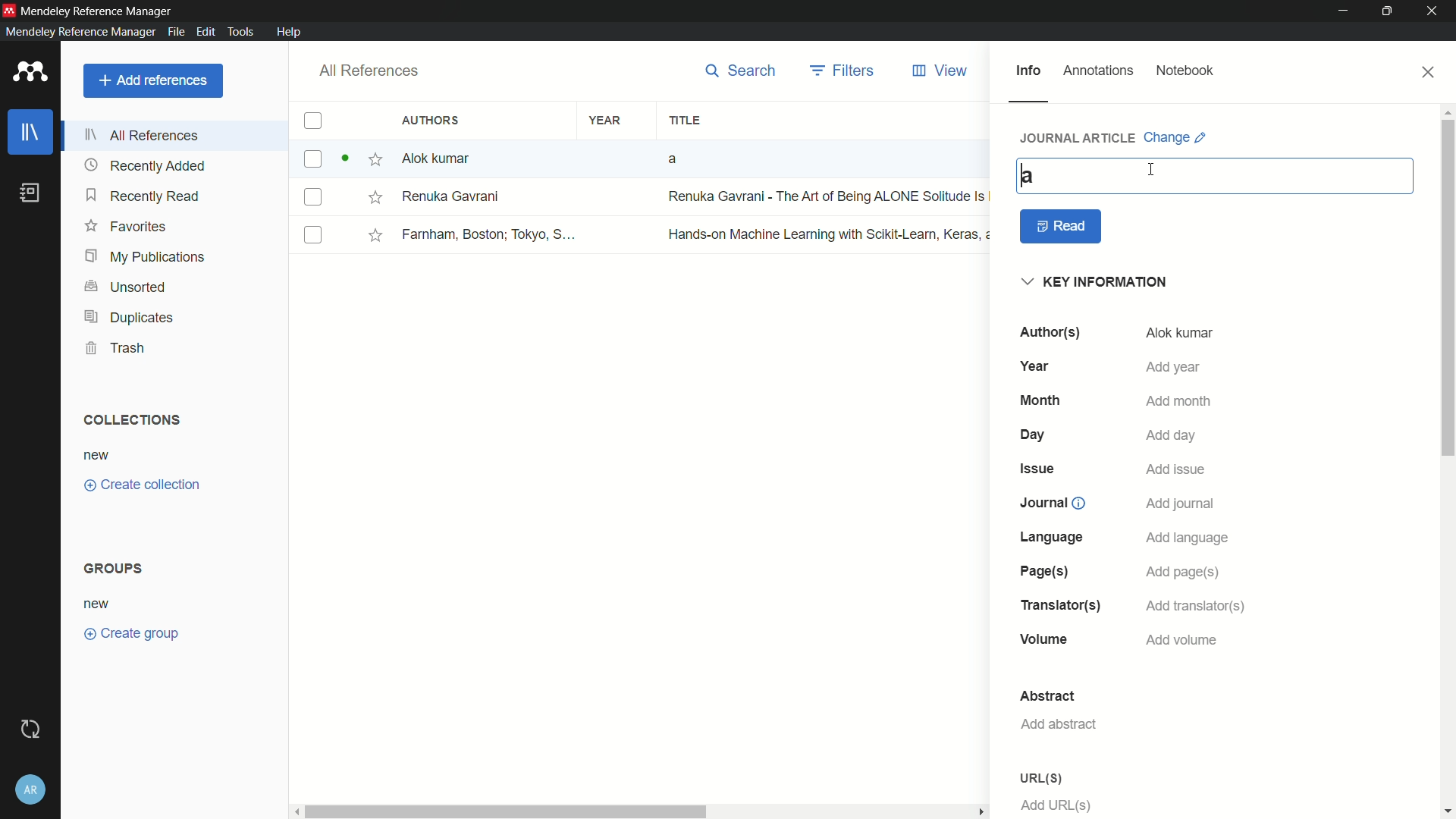 Image resolution: width=1456 pixels, height=819 pixels. I want to click on my publications, so click(146, 258).